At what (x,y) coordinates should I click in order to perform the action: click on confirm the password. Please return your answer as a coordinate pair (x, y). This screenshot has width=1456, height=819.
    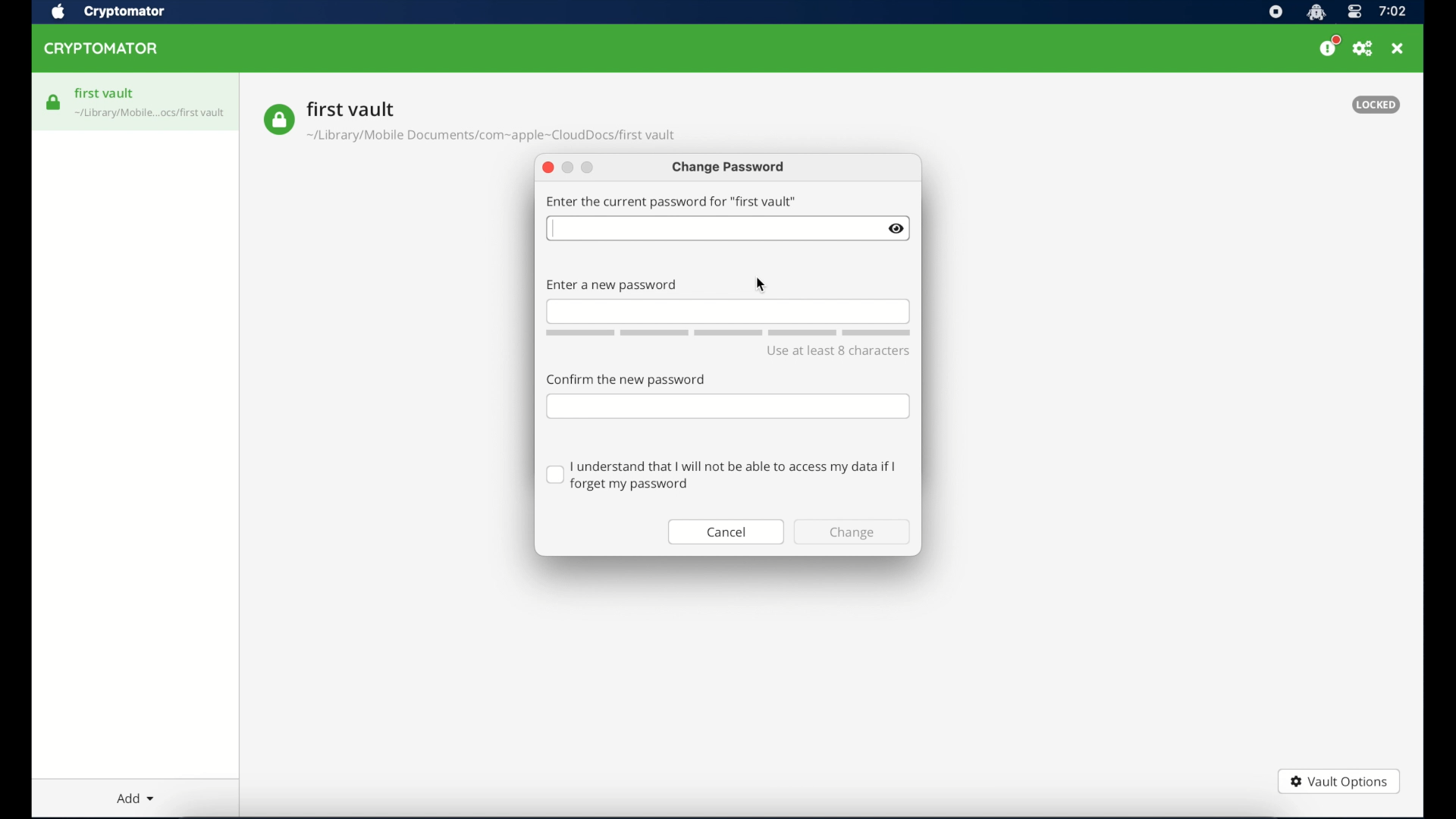
    Looking at the image, I should click on (626, 379).